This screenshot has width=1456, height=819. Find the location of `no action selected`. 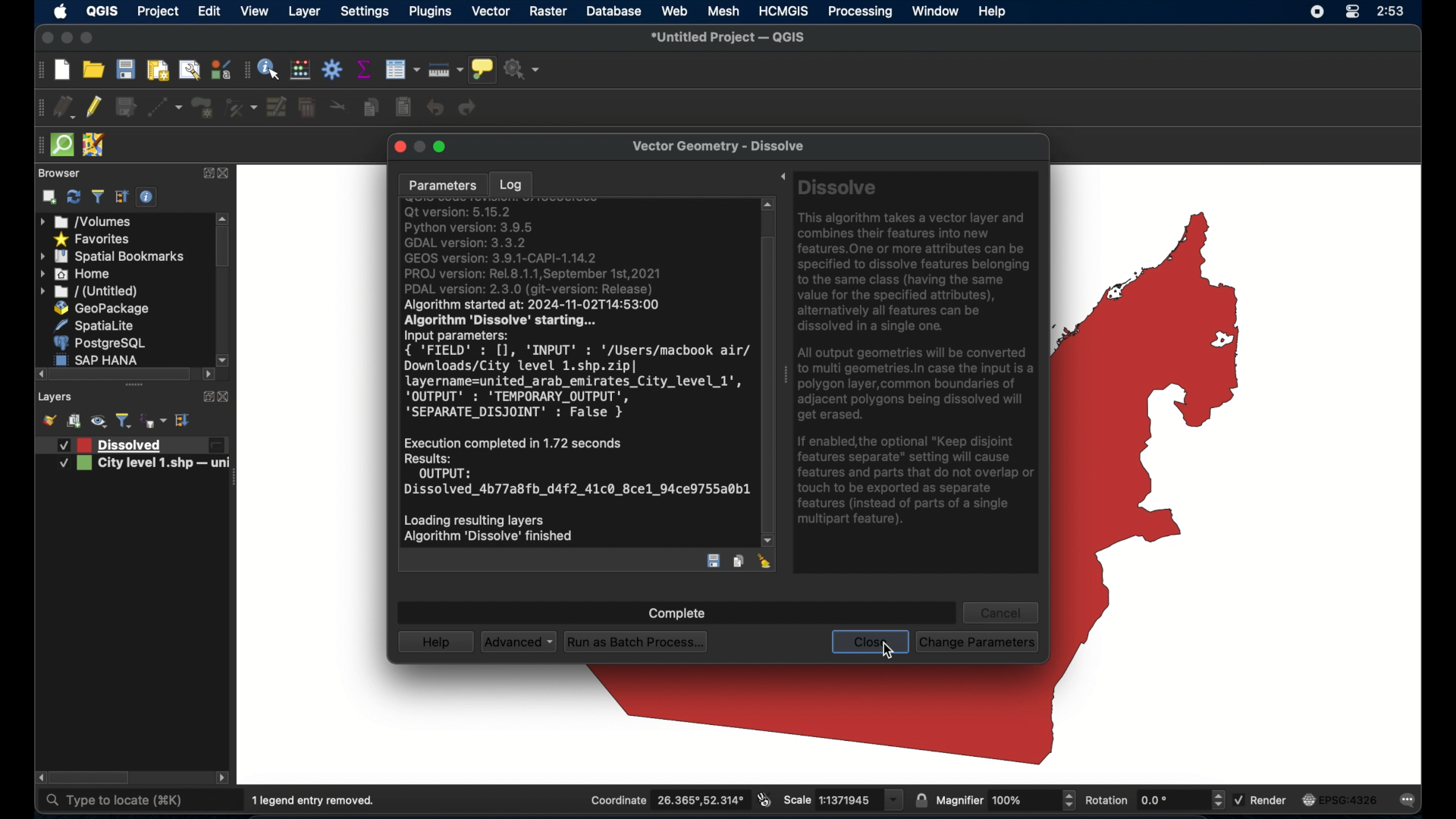

no action selected is located at coordinates (526, 71).